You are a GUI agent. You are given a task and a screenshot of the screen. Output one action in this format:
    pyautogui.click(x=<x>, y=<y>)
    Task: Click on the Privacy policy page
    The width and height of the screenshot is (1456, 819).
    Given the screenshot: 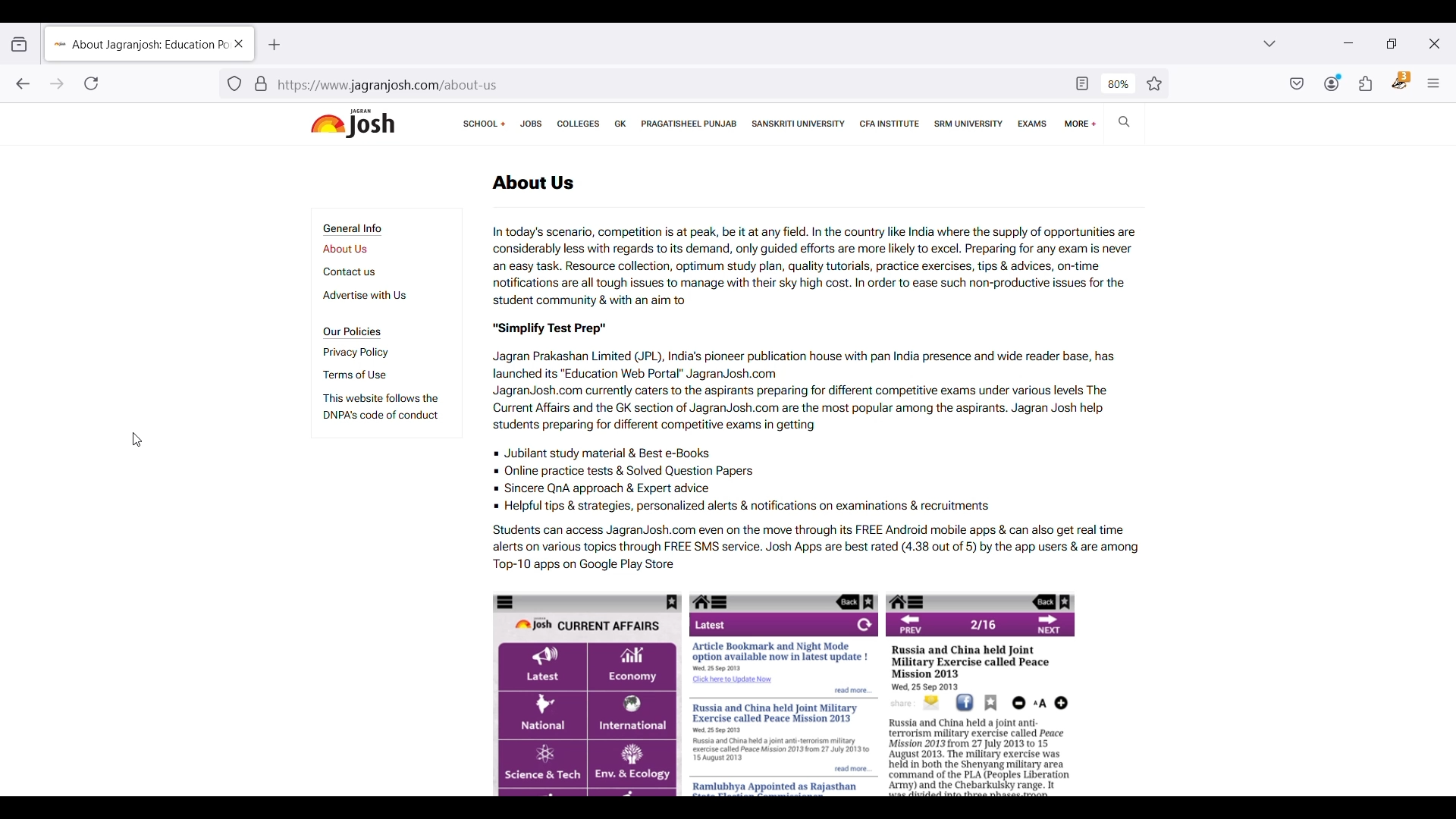 What is the action you would take?
    pyautogui.click(x=356, y=353)
    